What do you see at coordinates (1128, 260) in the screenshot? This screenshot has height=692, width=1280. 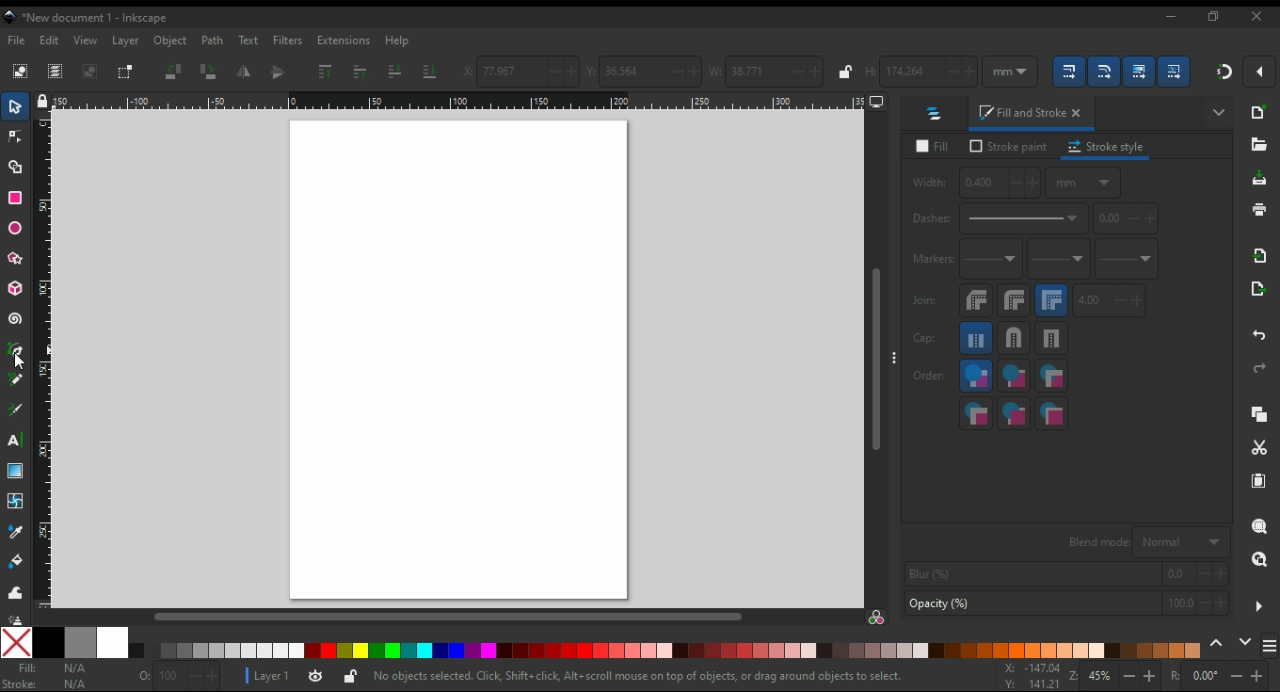 I see `end marker` at bounding box center [1128, 260].